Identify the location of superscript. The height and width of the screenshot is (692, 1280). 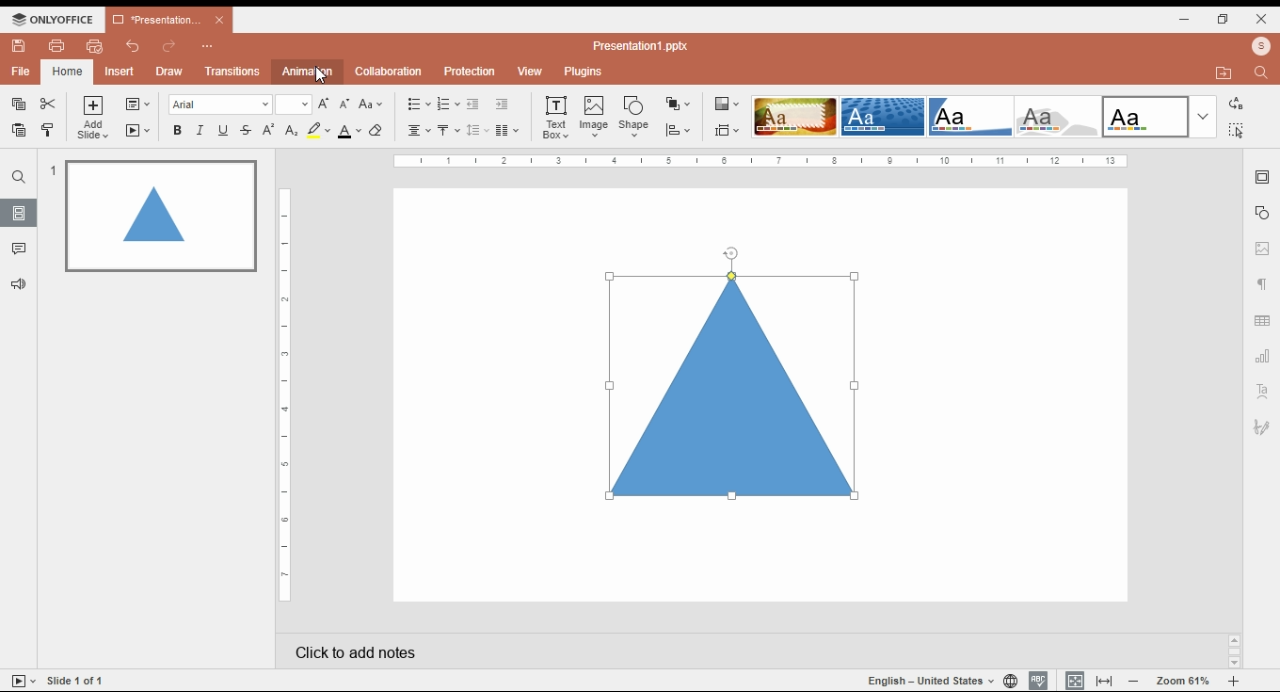
(269, 130).